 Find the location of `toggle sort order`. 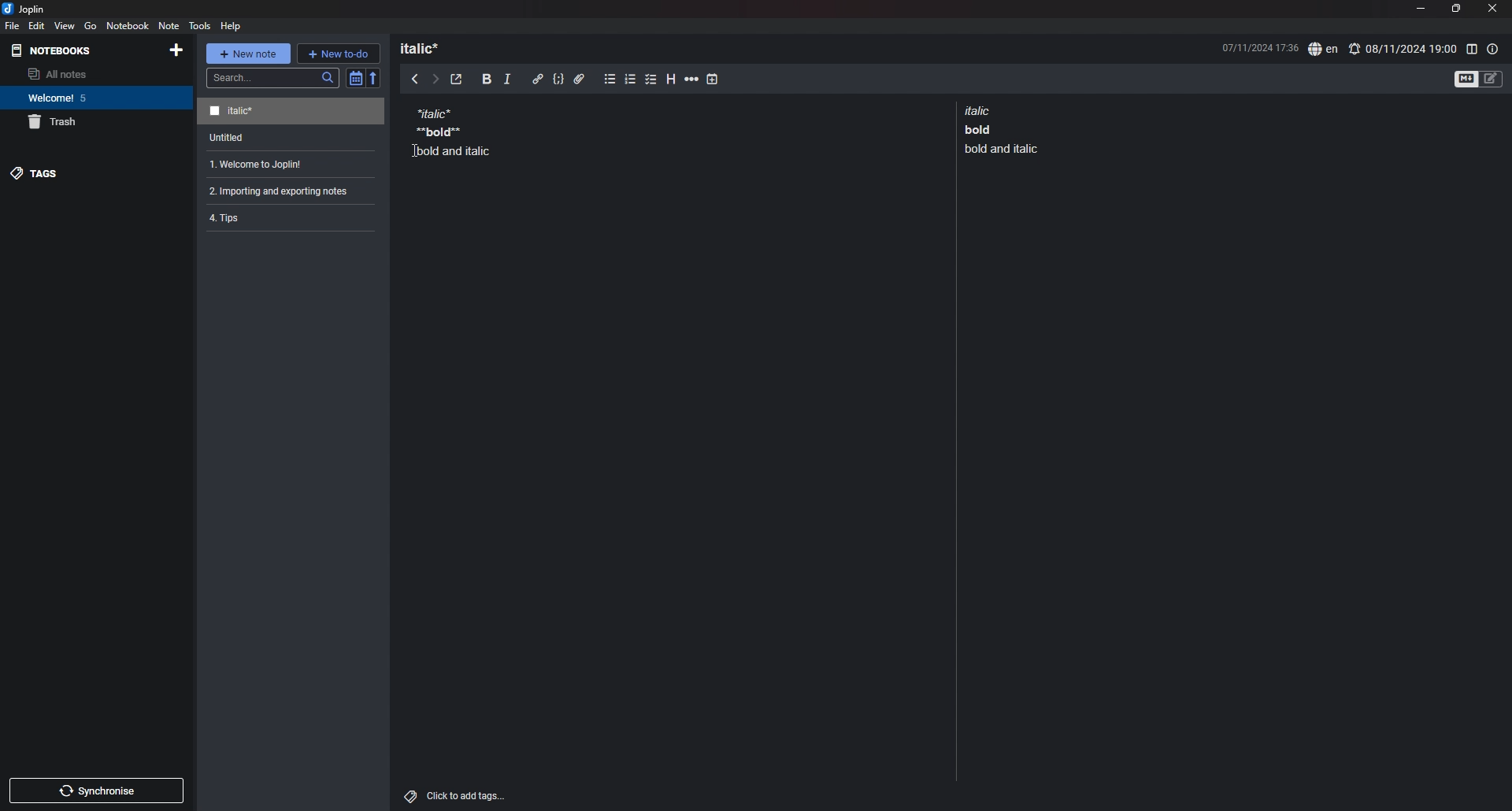

toggle sort order is located at coordinates (355, 78).